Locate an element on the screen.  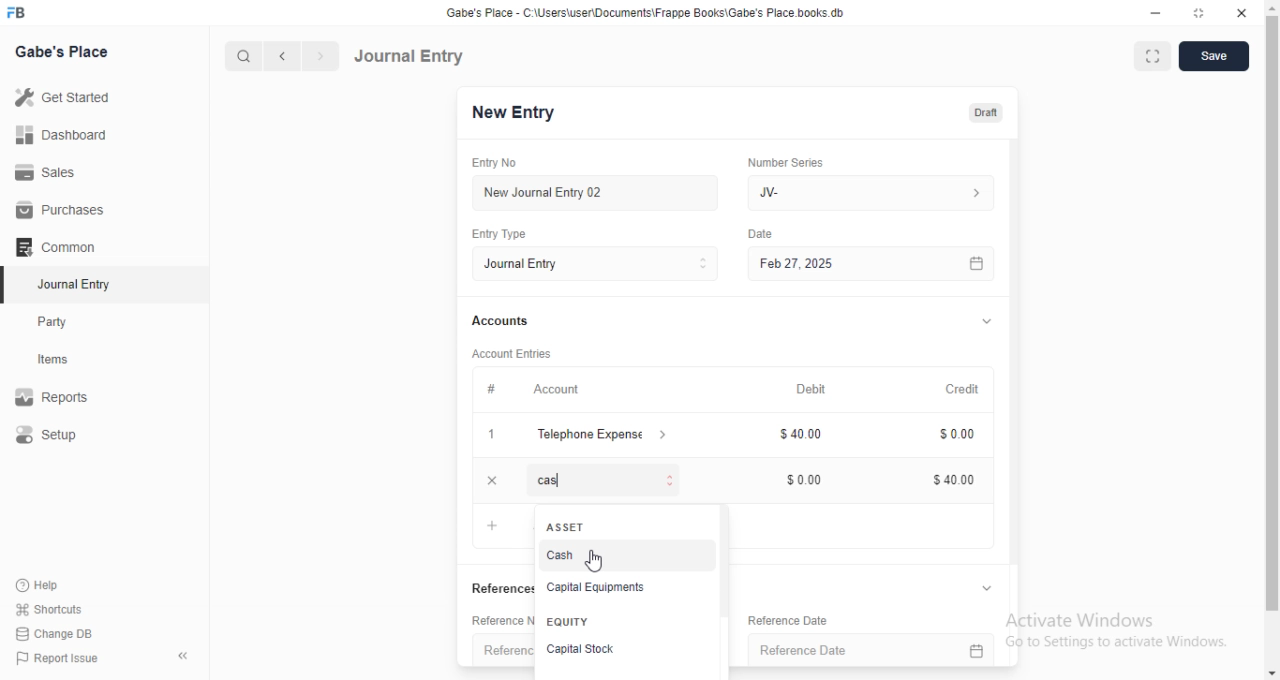
Items is located at coordinates (55, 360).